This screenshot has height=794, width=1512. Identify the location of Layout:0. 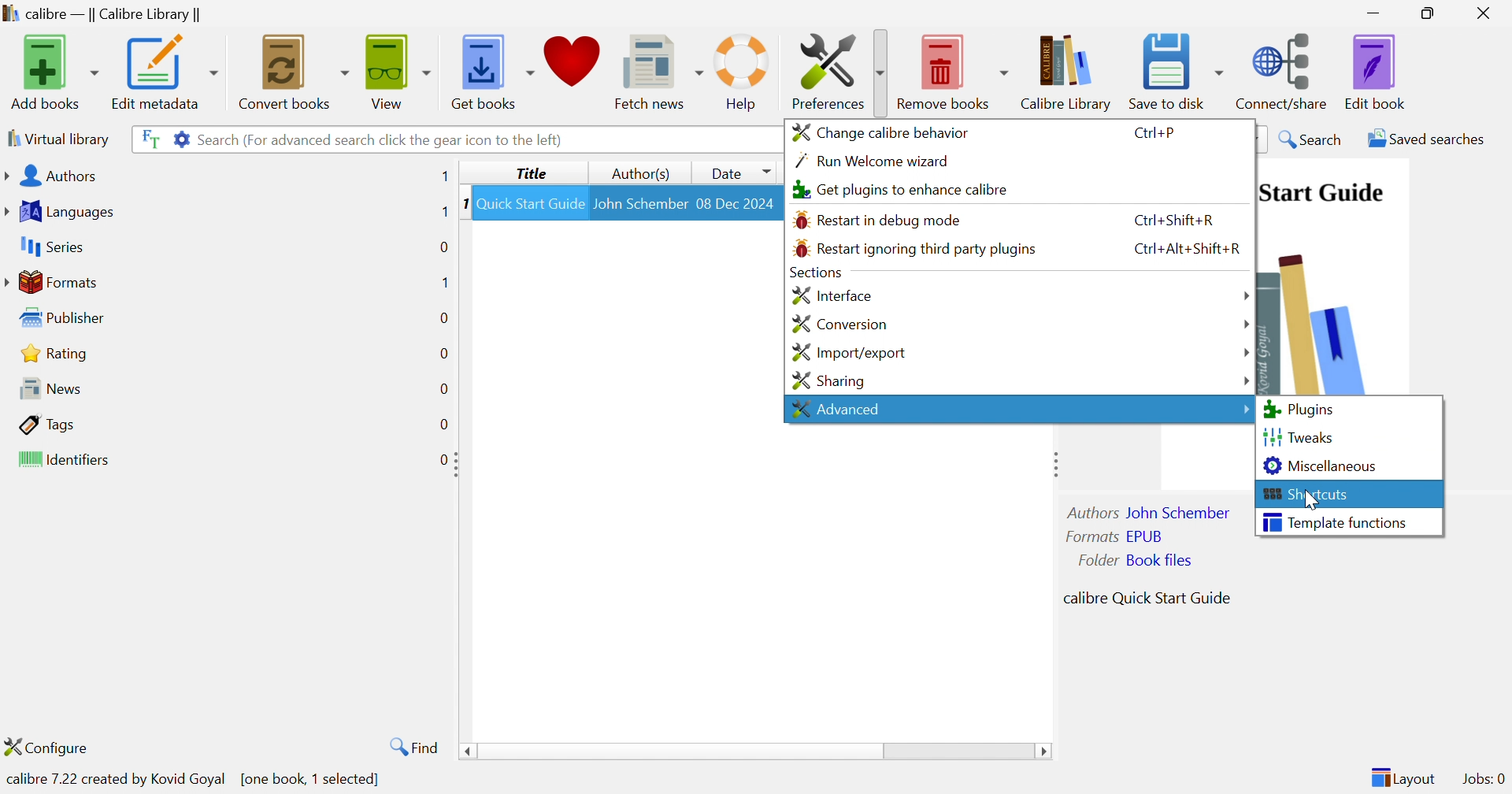
(1403, 777).